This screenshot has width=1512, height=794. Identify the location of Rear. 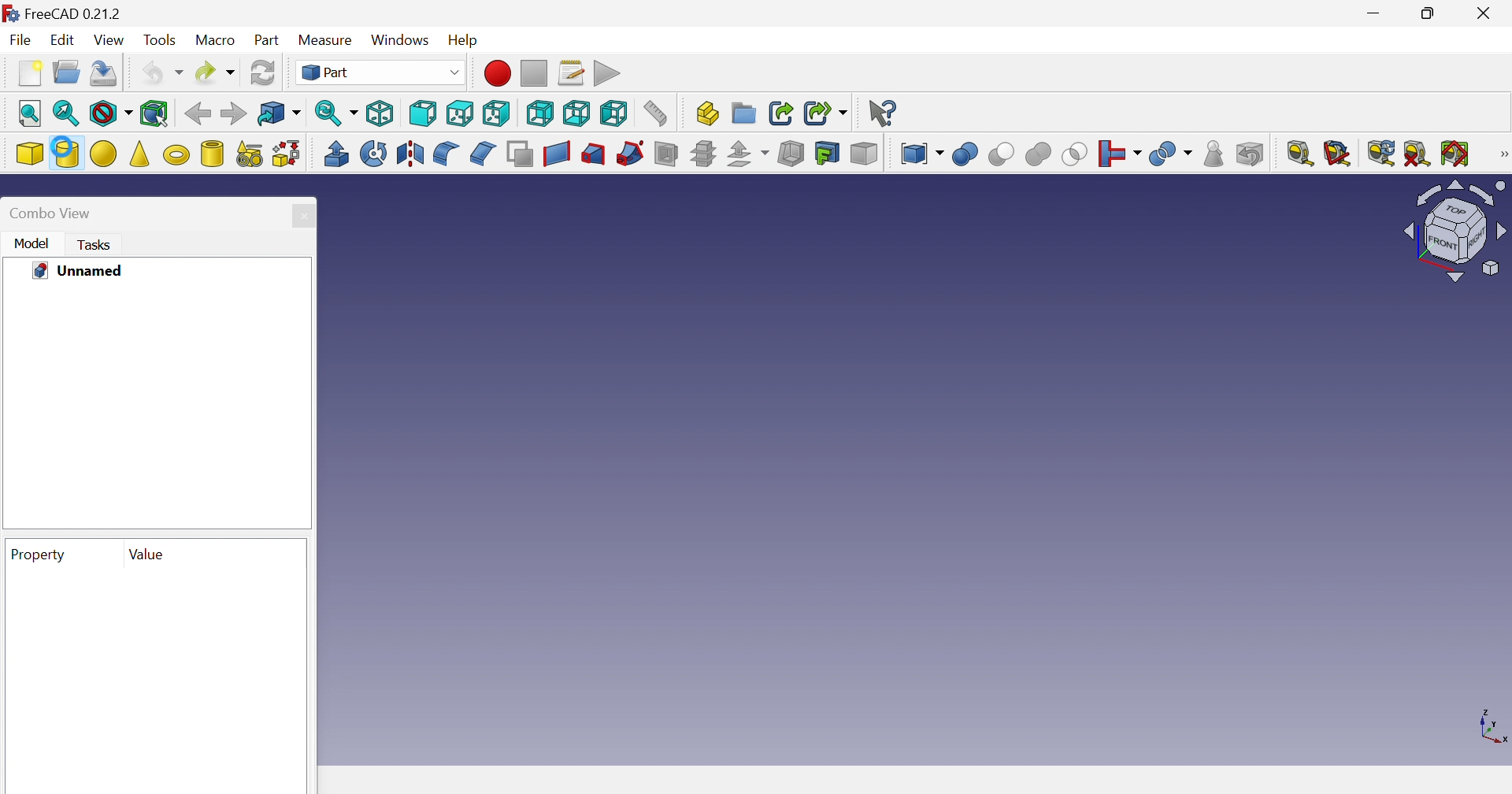
(542, 113).